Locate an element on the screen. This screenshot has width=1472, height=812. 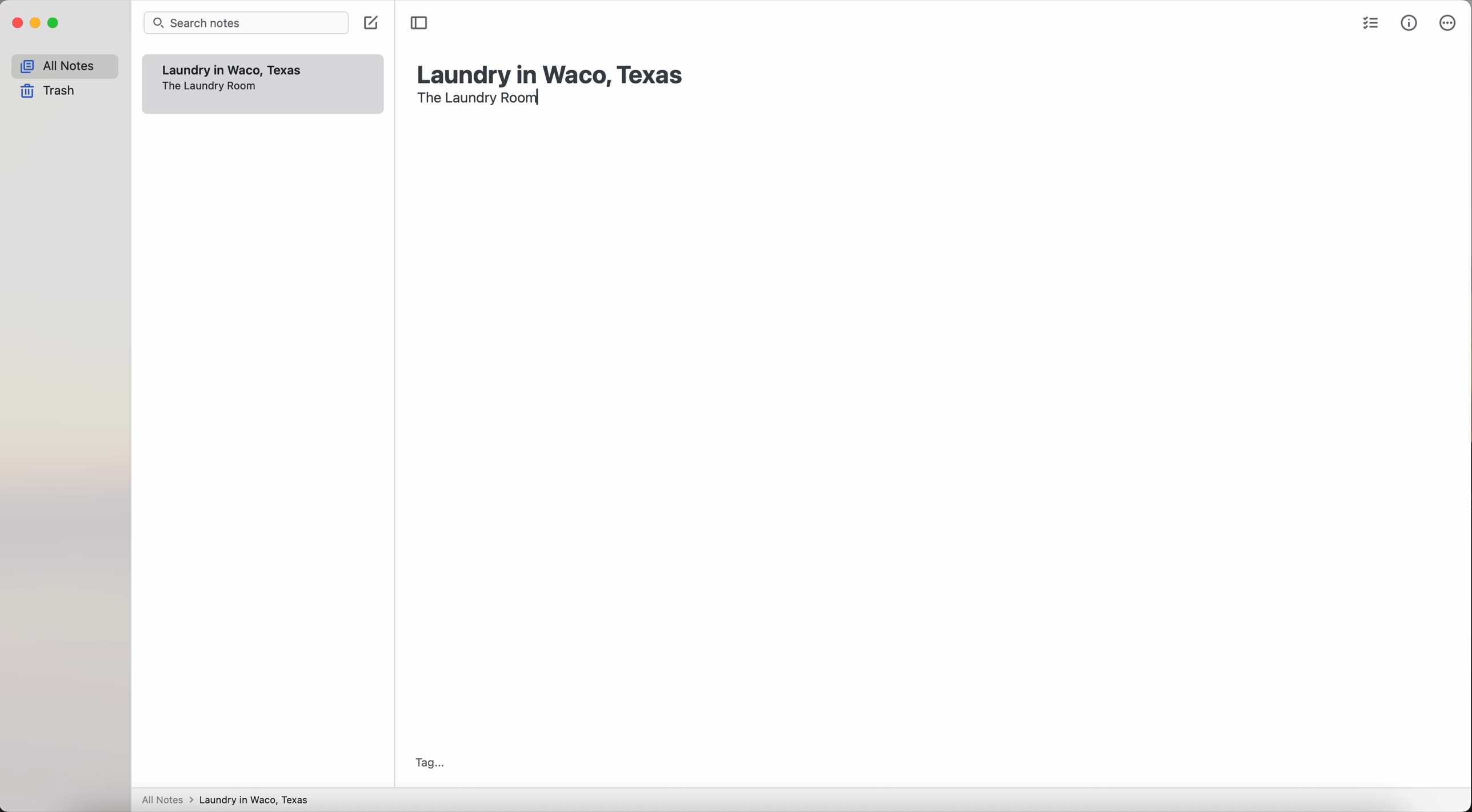
All notes > Laundry in Waco, Texas is located at coordinates (230, 801).